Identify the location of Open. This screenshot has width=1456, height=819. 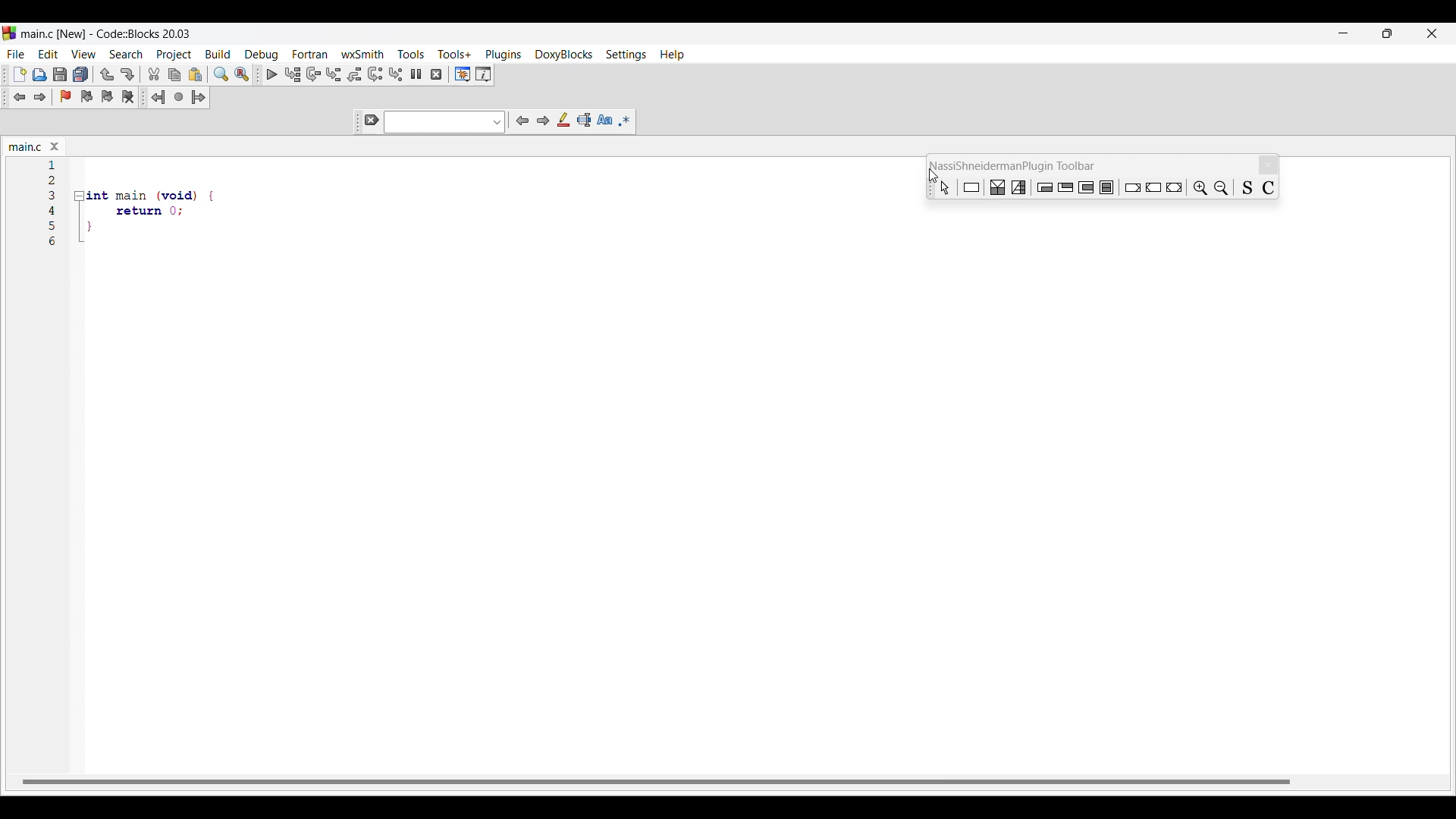
(40, 74).